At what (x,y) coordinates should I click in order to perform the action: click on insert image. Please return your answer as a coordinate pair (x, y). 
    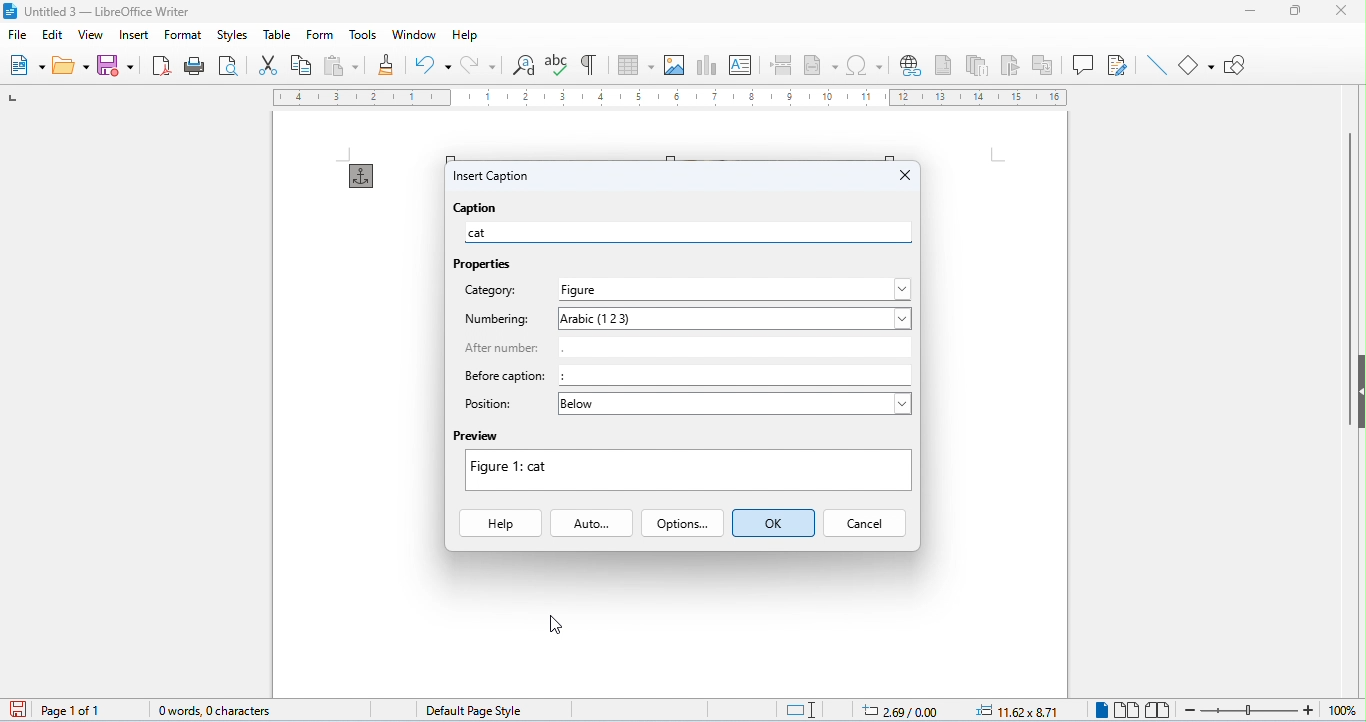
    Looking at the image, I should click on (675, 66).